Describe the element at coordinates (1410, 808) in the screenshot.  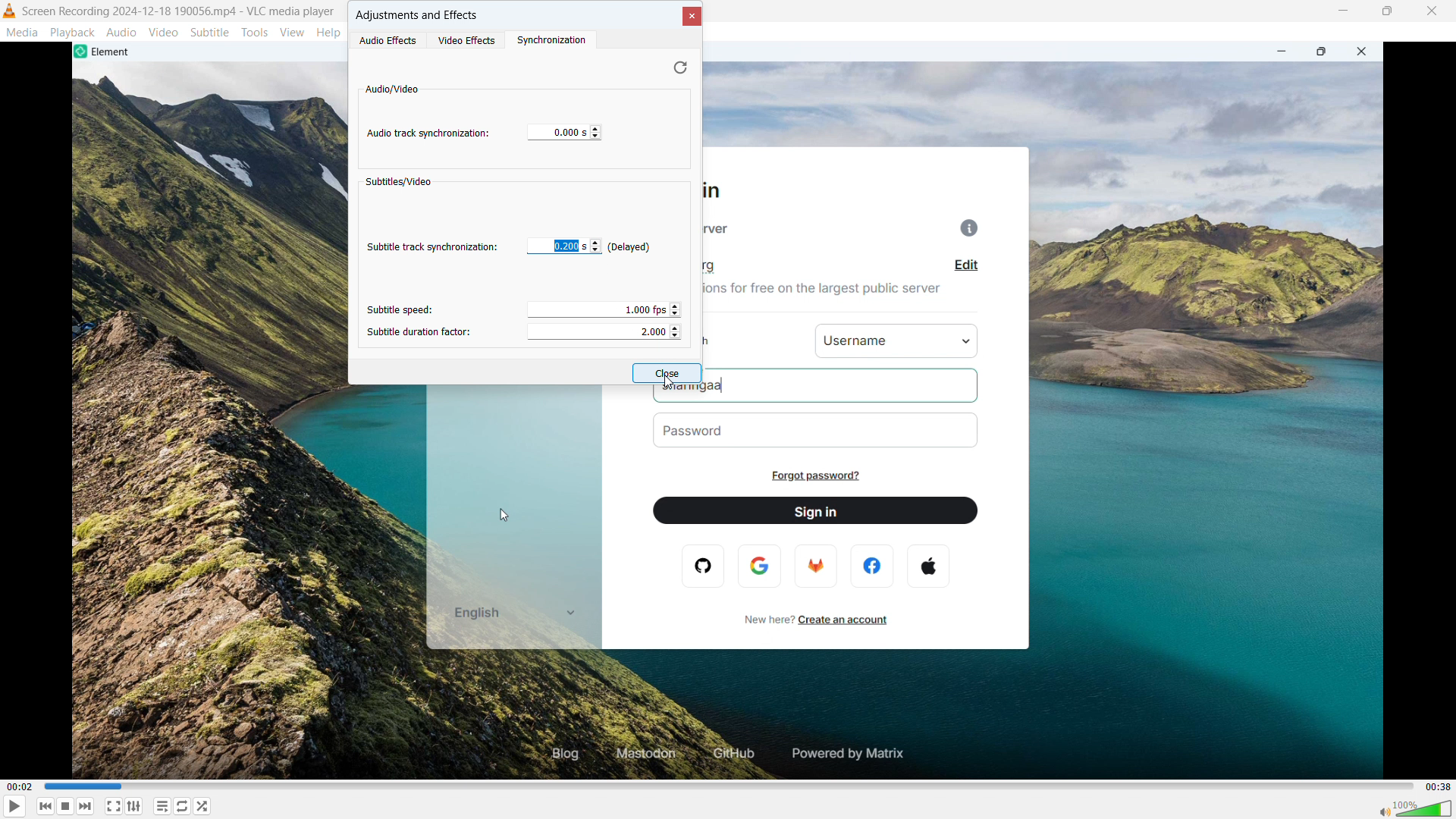
I see `sound bar` at that location.